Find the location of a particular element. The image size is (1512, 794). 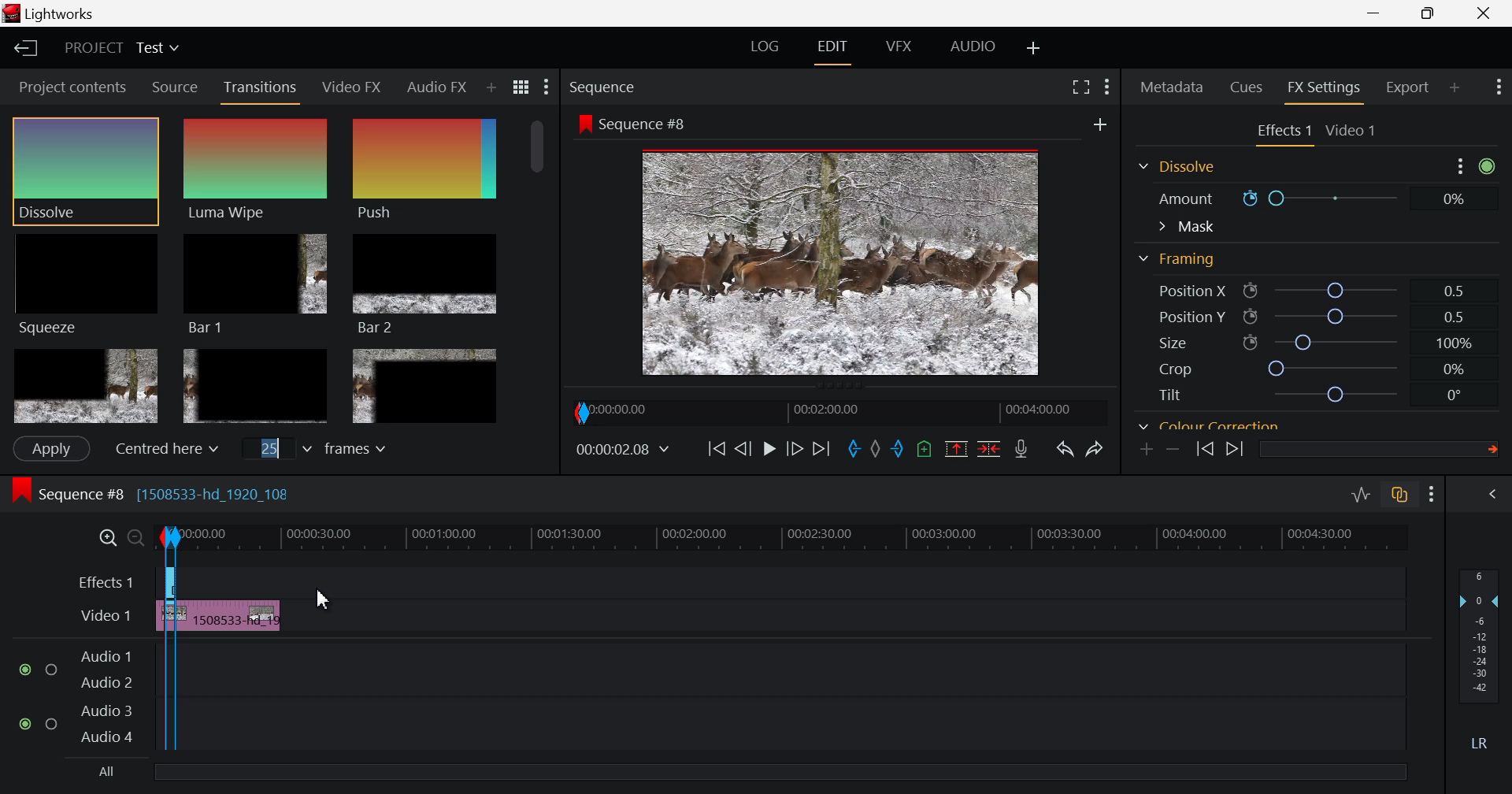

Audio Level is located at coordinates (1484, 661).